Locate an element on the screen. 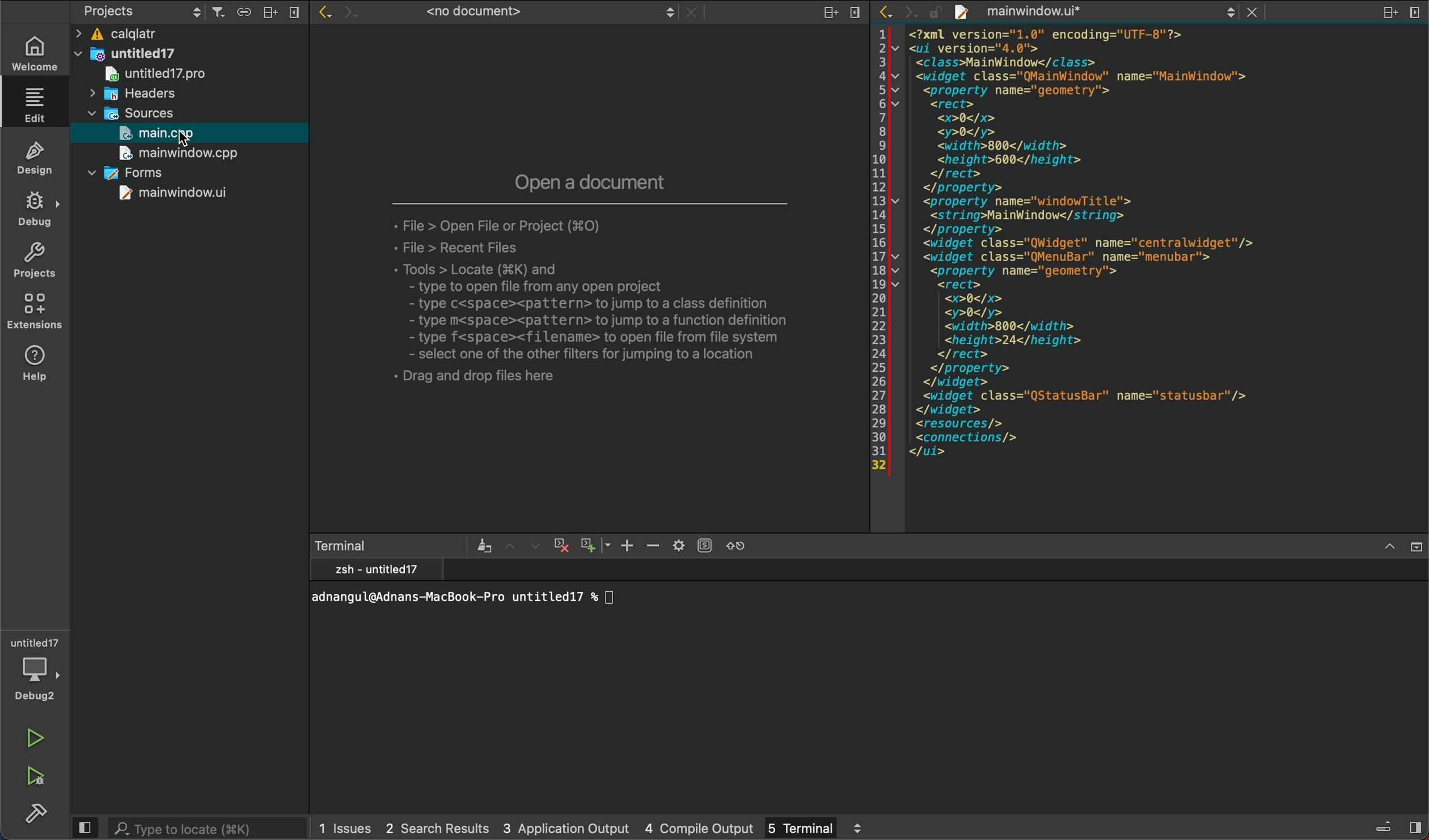  close is located at coordinates (1415, 548).